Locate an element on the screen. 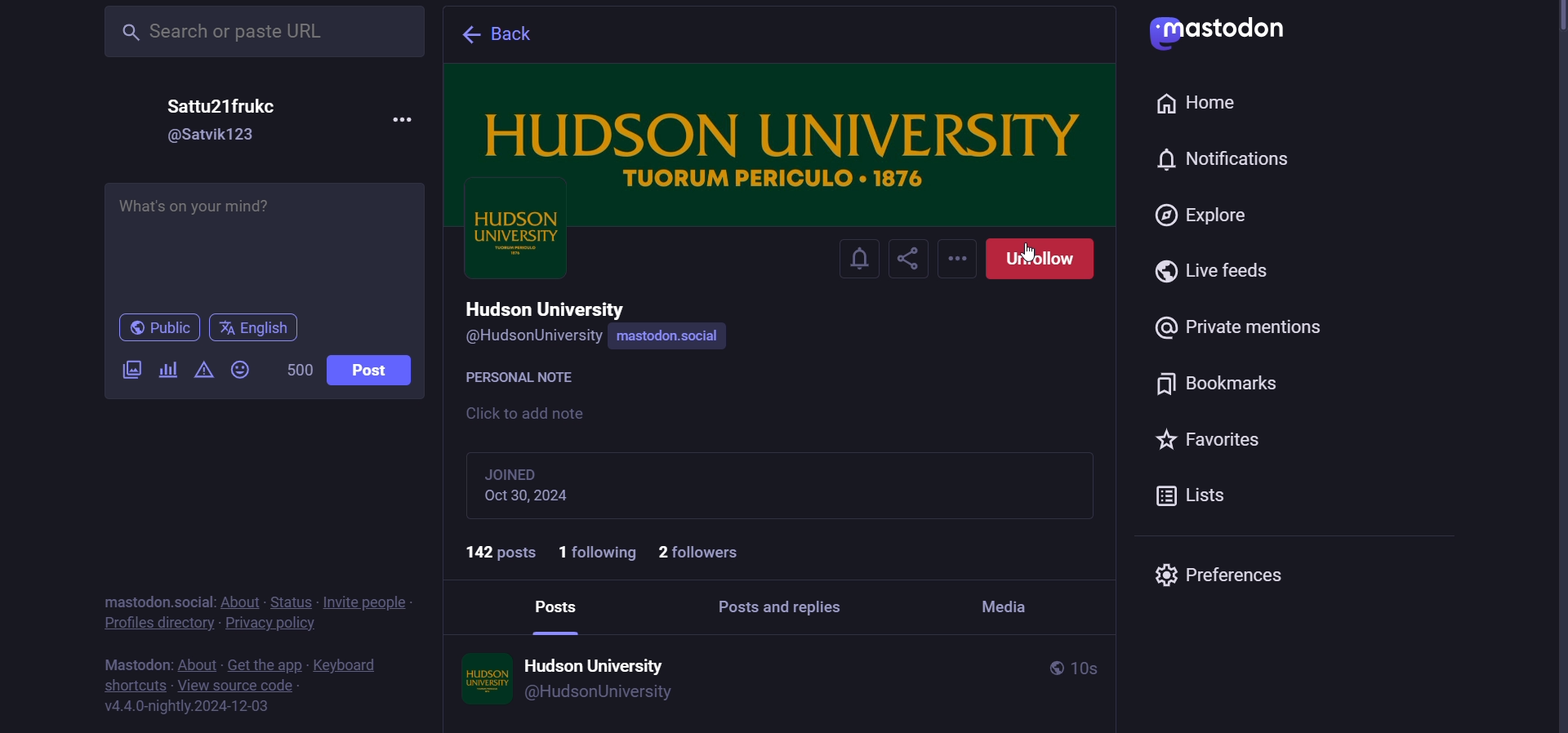 This screenshot has width=1568, height=733. view source code is located at coordinates (238, 686).